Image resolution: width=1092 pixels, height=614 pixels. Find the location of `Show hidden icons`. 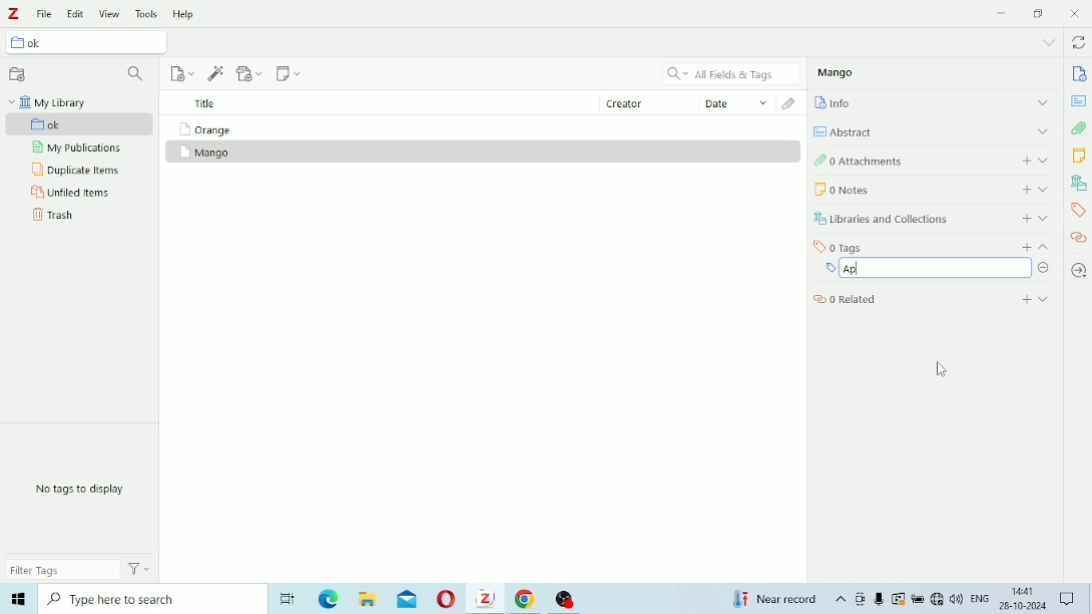

Show hidden icons is located at coordinates (841, 600).